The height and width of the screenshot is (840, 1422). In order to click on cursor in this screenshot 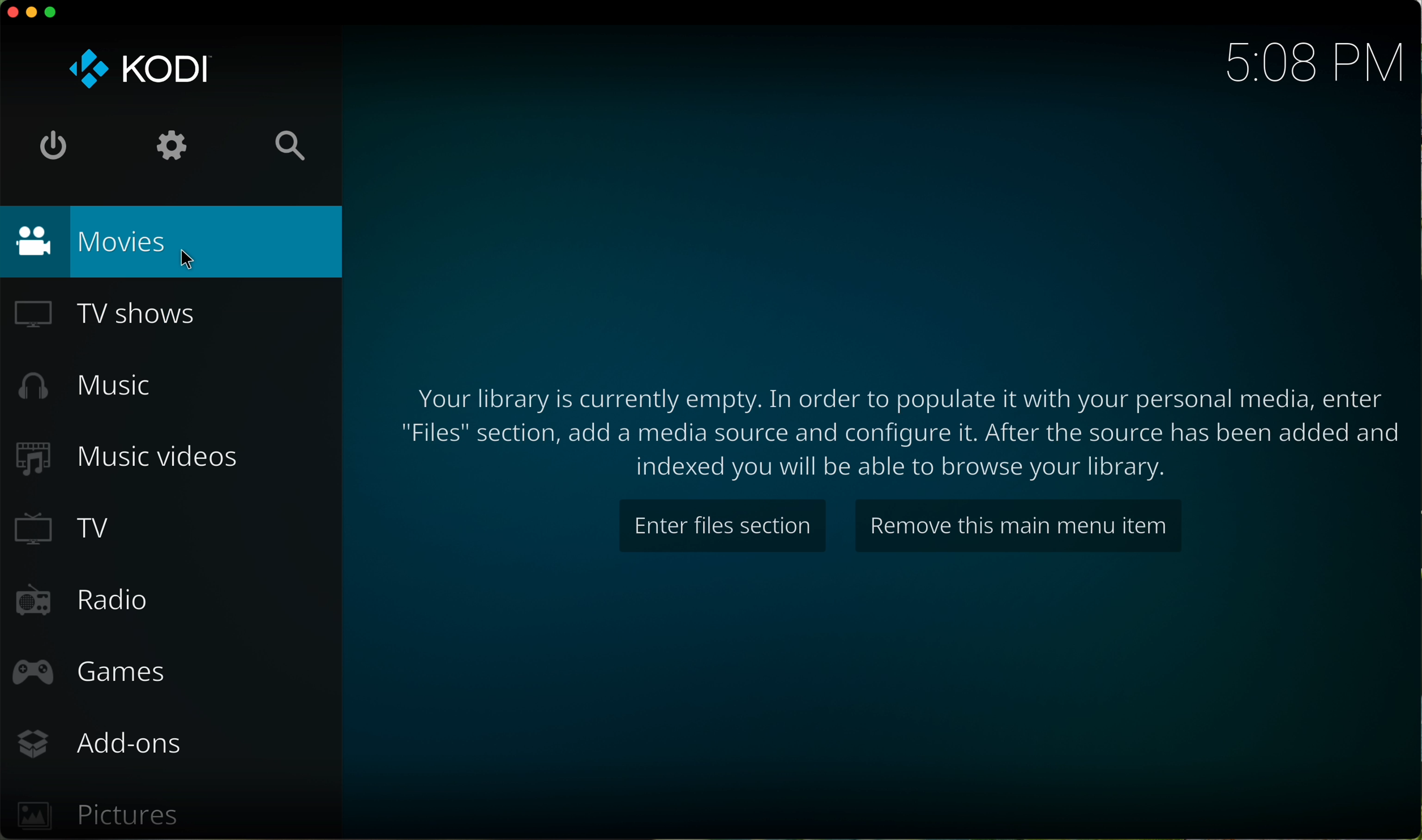, I will do `click(189, 260)`.